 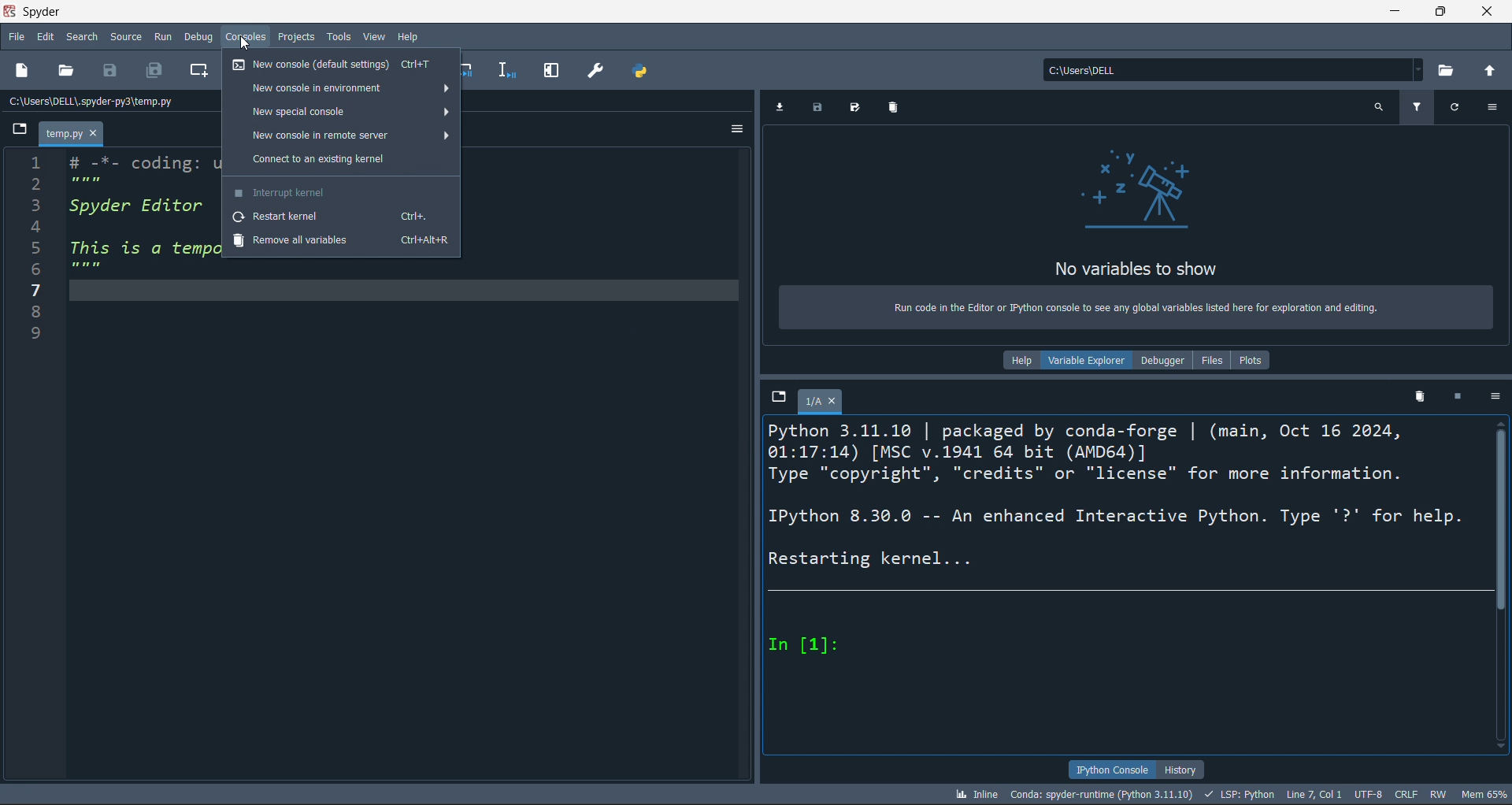 I want to click on plots, so click(x=1254, y=359).